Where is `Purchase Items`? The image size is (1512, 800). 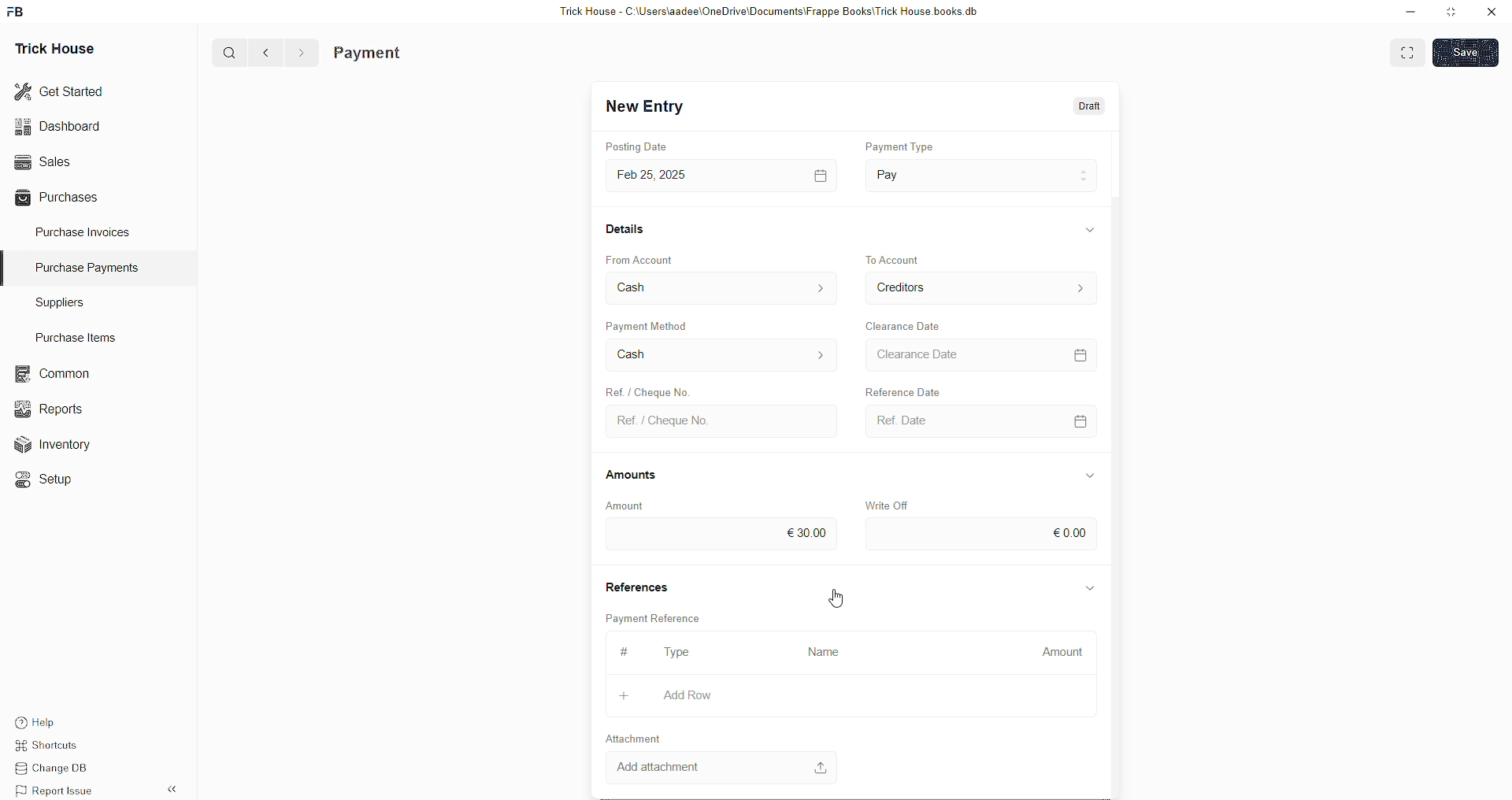
Purchase Items is located at coordinates (80, 335).